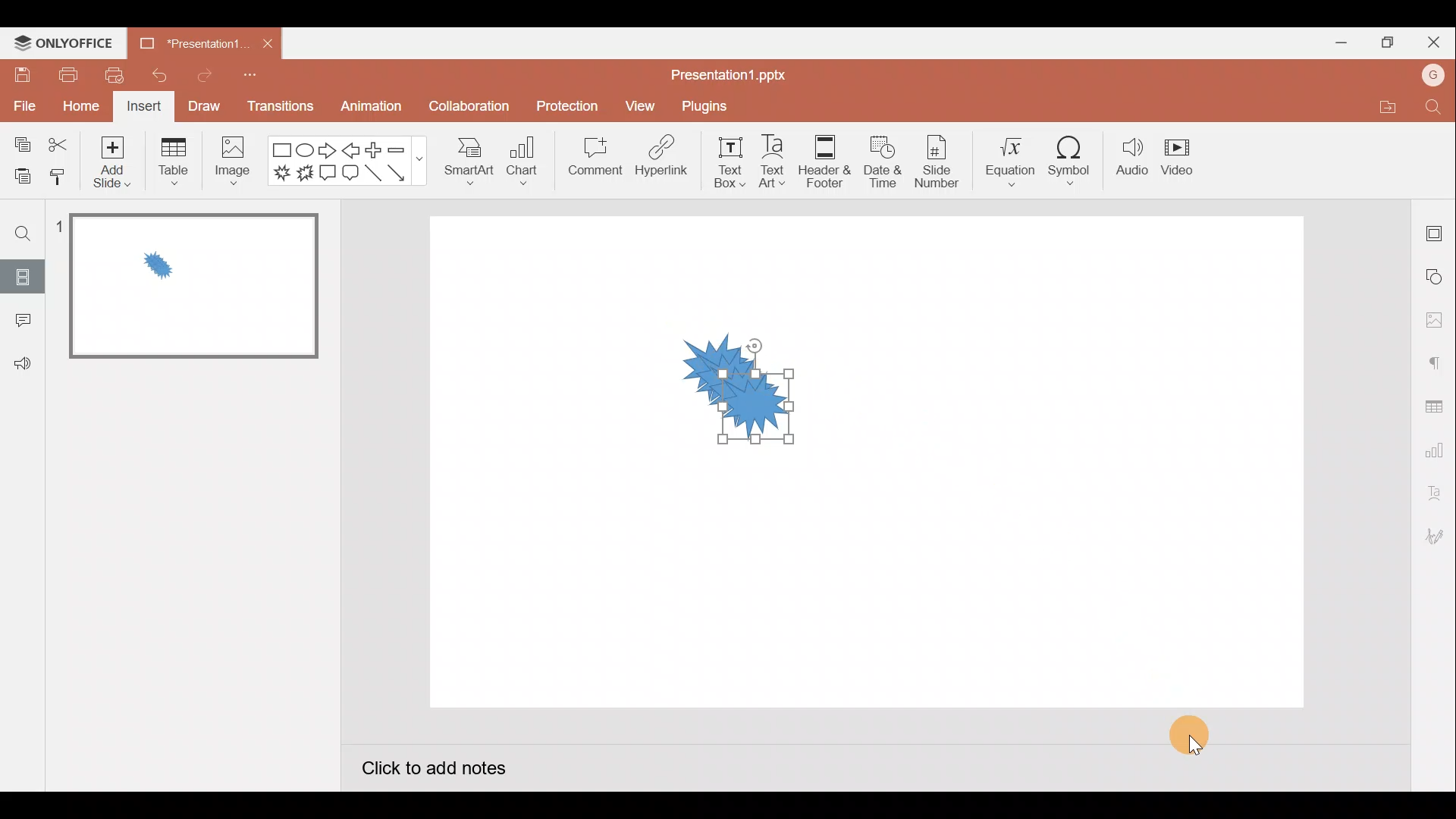  What do you see at coordinates (113, 75) in the screenshot?
I see `Quick print` at bounding box center [113, 75].